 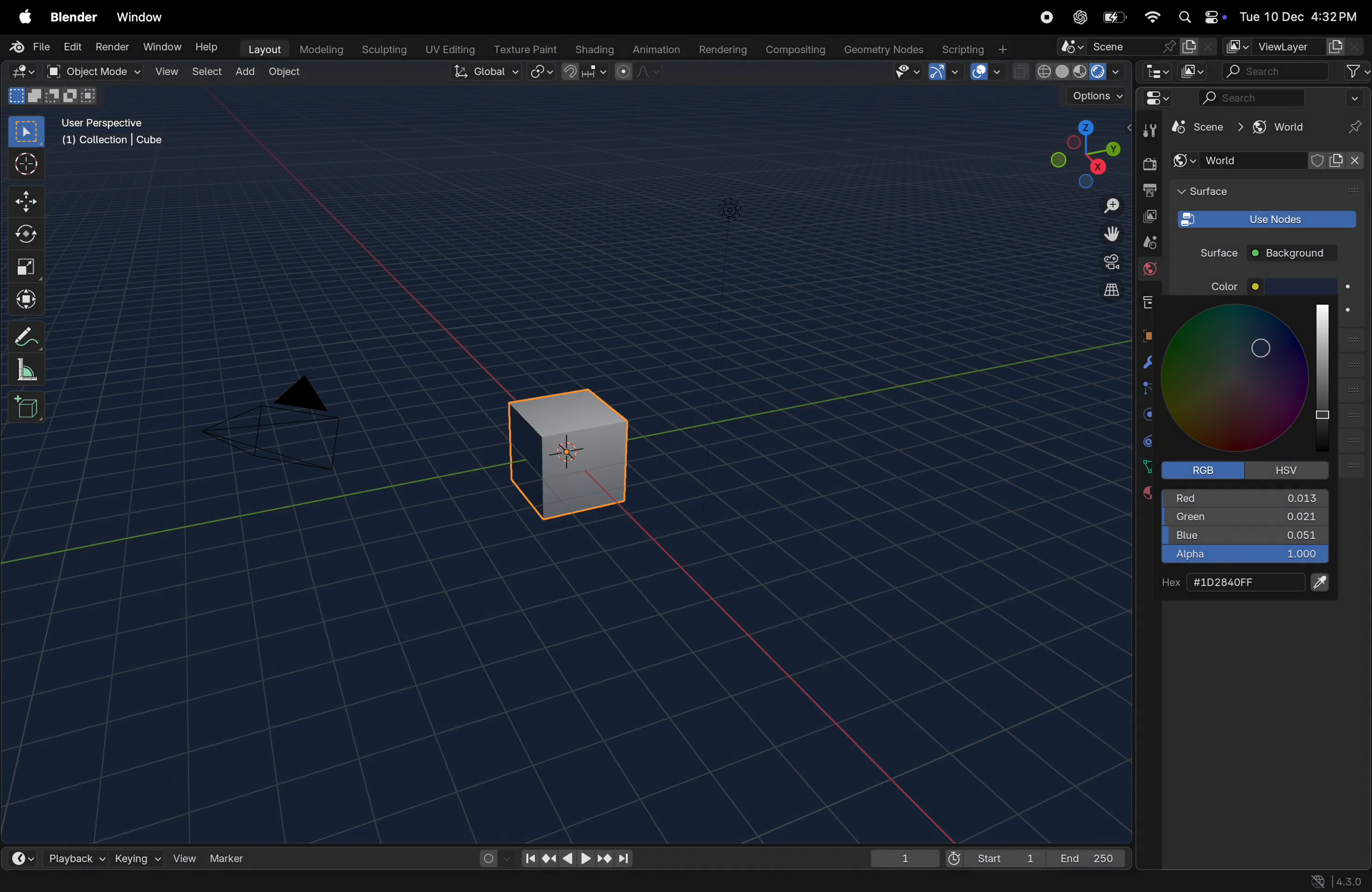 What do you see at coordinates (31, 369) in the screenshot?
I see `scale` at bounding box center [31, 369].